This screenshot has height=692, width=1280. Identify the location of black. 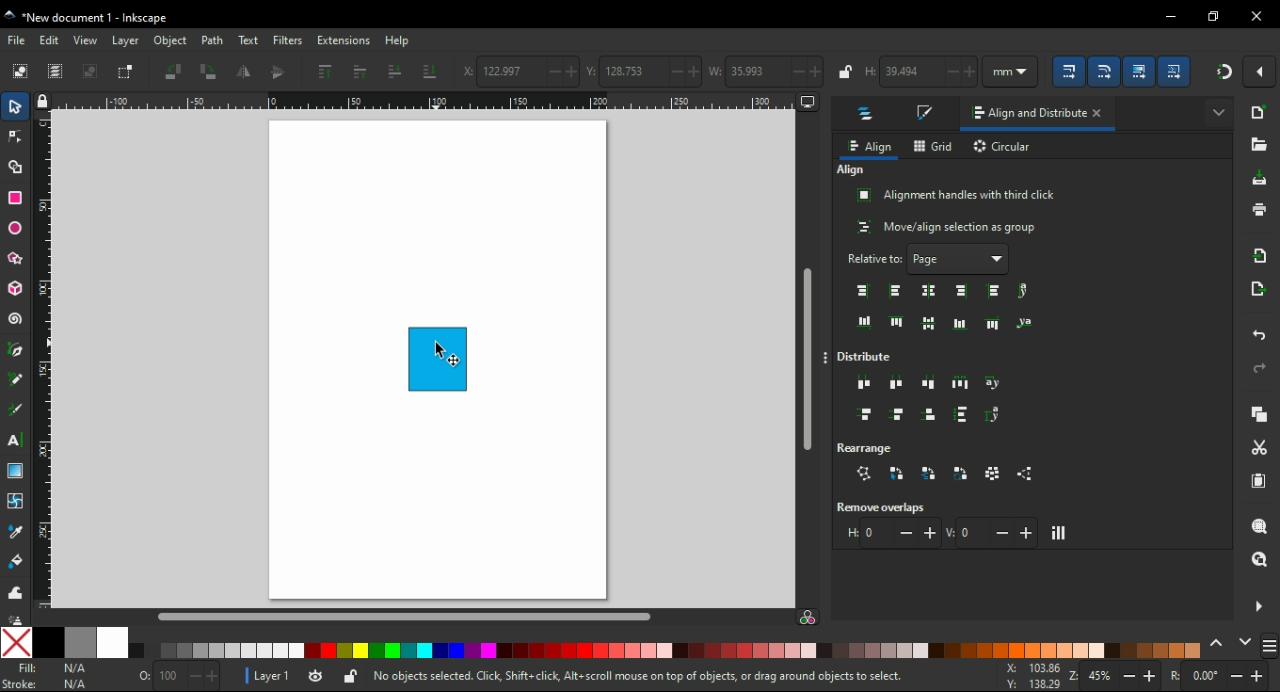
(48, 643).